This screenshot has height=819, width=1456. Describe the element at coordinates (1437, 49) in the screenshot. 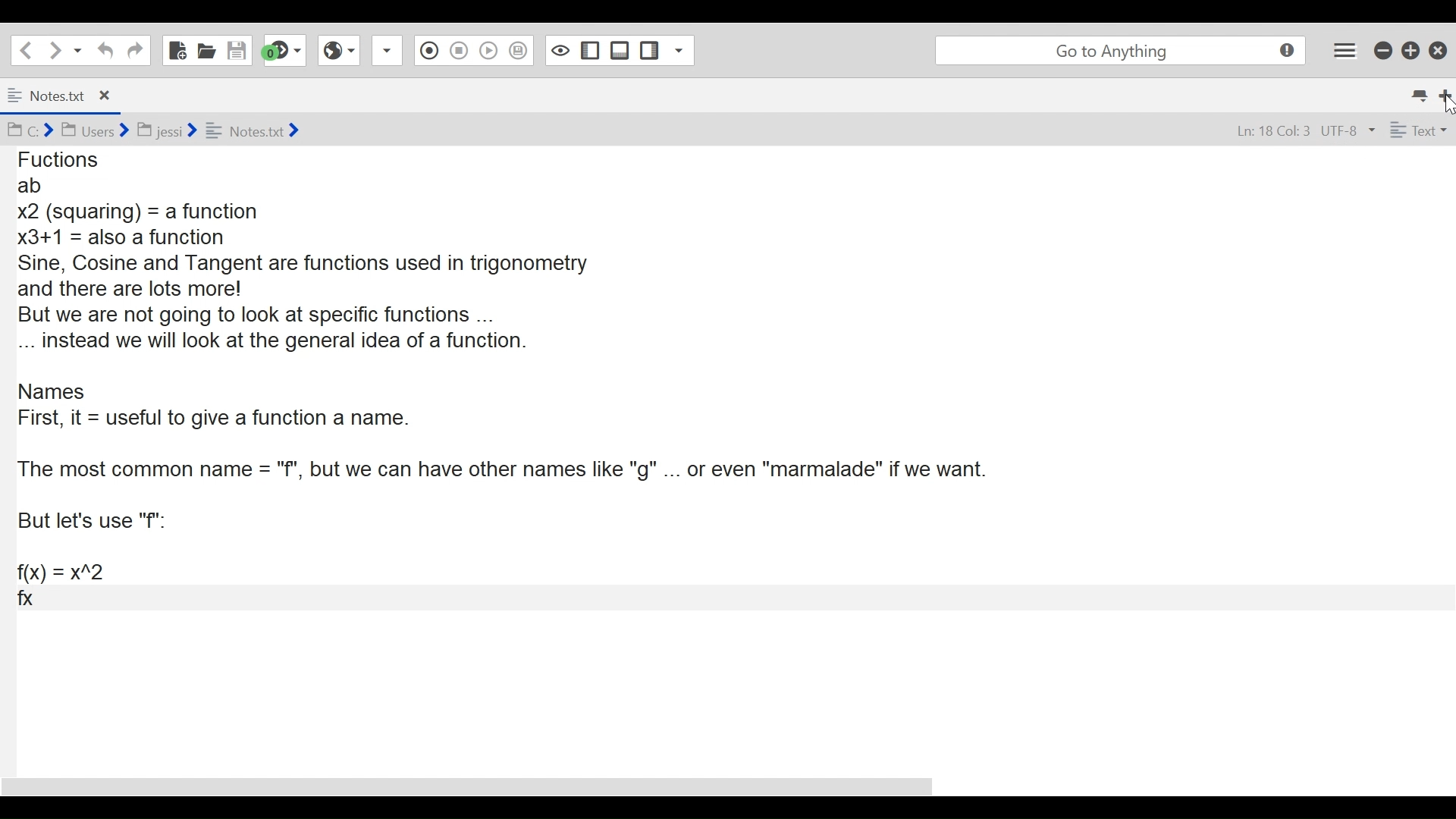

I see `Close` at that location.